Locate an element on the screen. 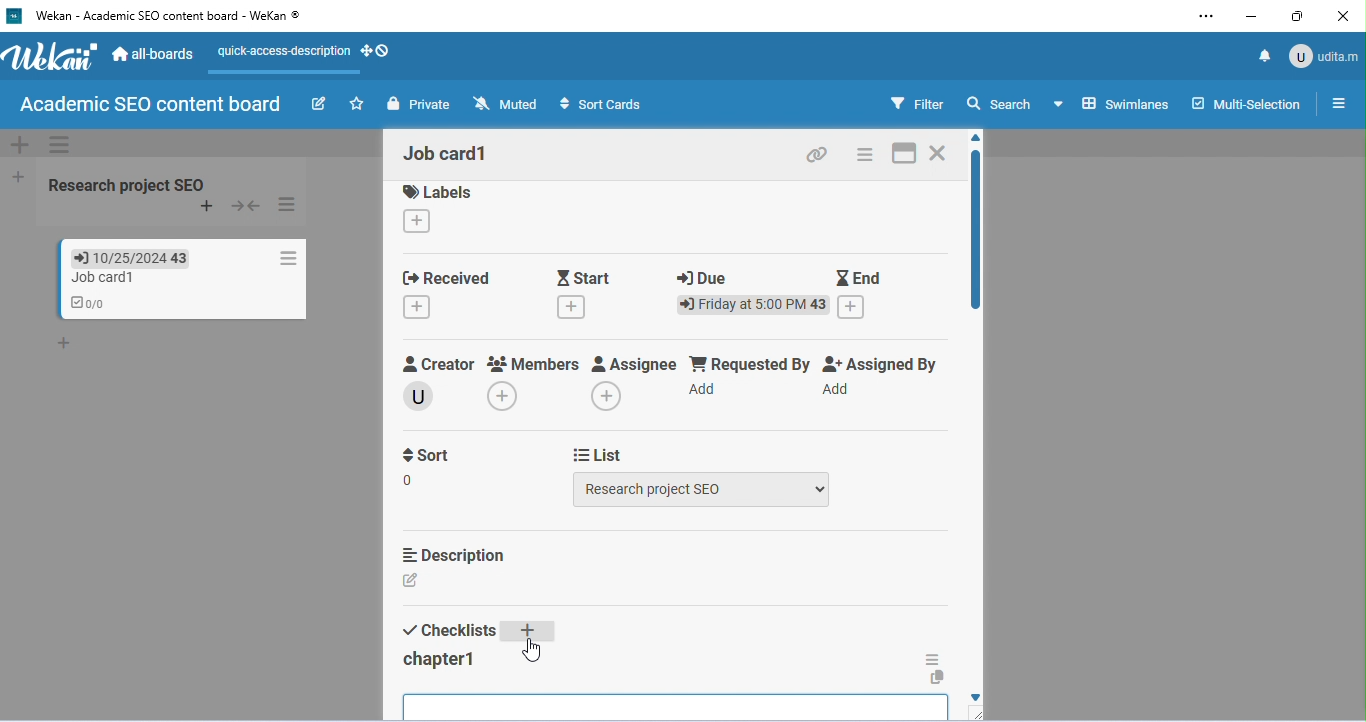 Image resolution: width=1366 pixels, height=722 pixels. wekan logo is located at coordinates (52, 60).